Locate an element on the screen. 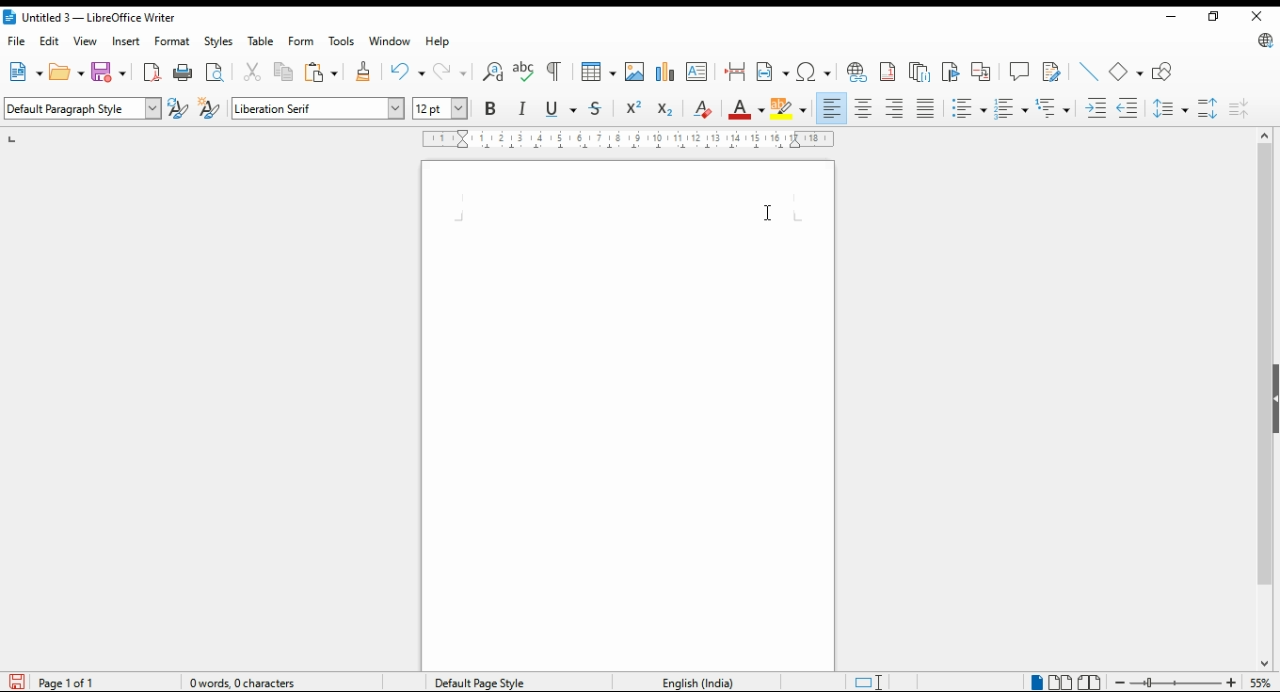 The width and height of the screenshot is (1280, 692). increase paragraph spacing is located at coordinates (1208, 108).